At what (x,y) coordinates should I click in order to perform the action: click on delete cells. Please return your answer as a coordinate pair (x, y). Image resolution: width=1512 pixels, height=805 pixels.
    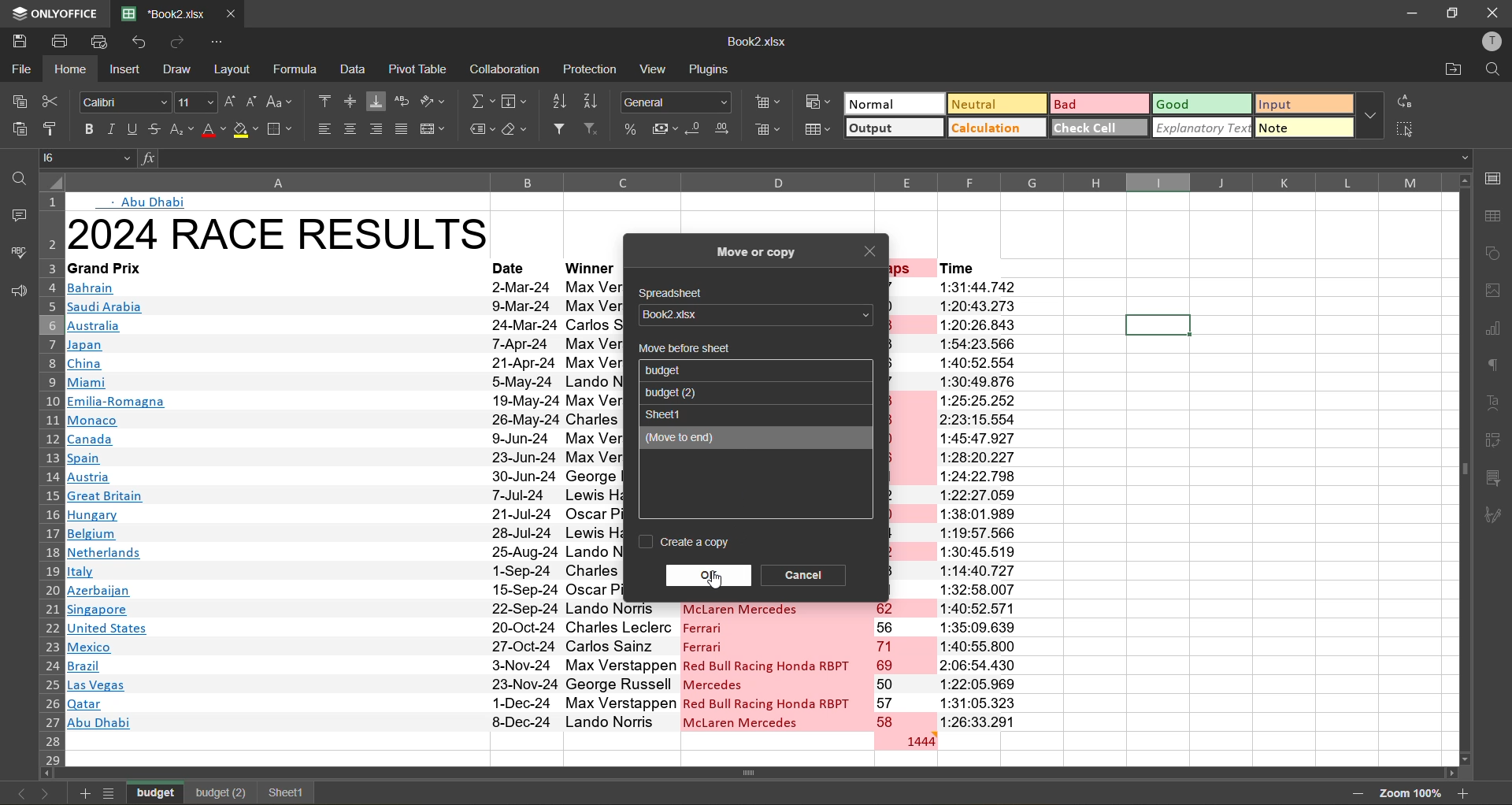
    Looking at the image, I should click on (769, 131).